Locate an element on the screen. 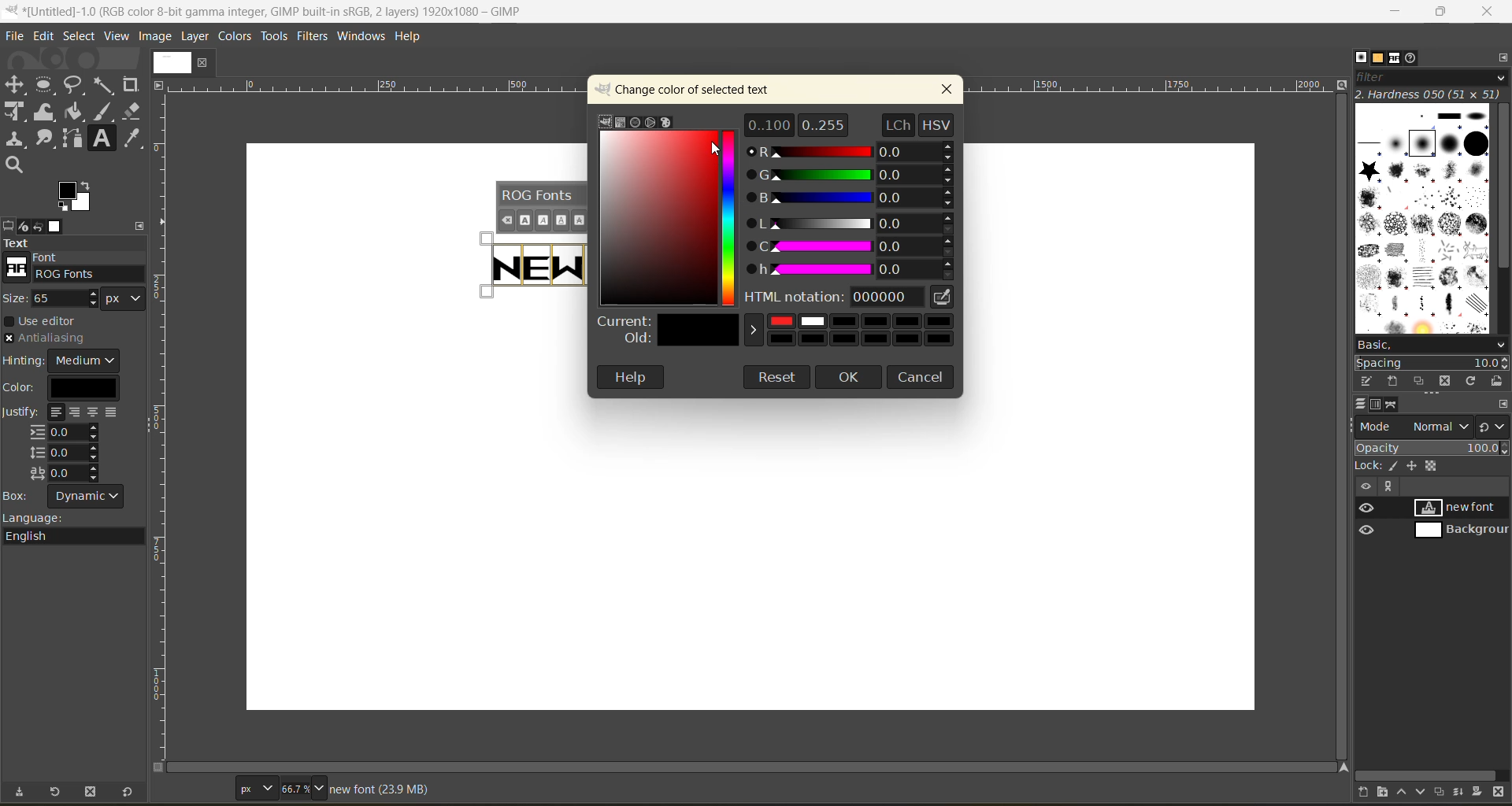 The height and width of the screenshot is (806, 1512). gimp is located at coordinates (608, 120).